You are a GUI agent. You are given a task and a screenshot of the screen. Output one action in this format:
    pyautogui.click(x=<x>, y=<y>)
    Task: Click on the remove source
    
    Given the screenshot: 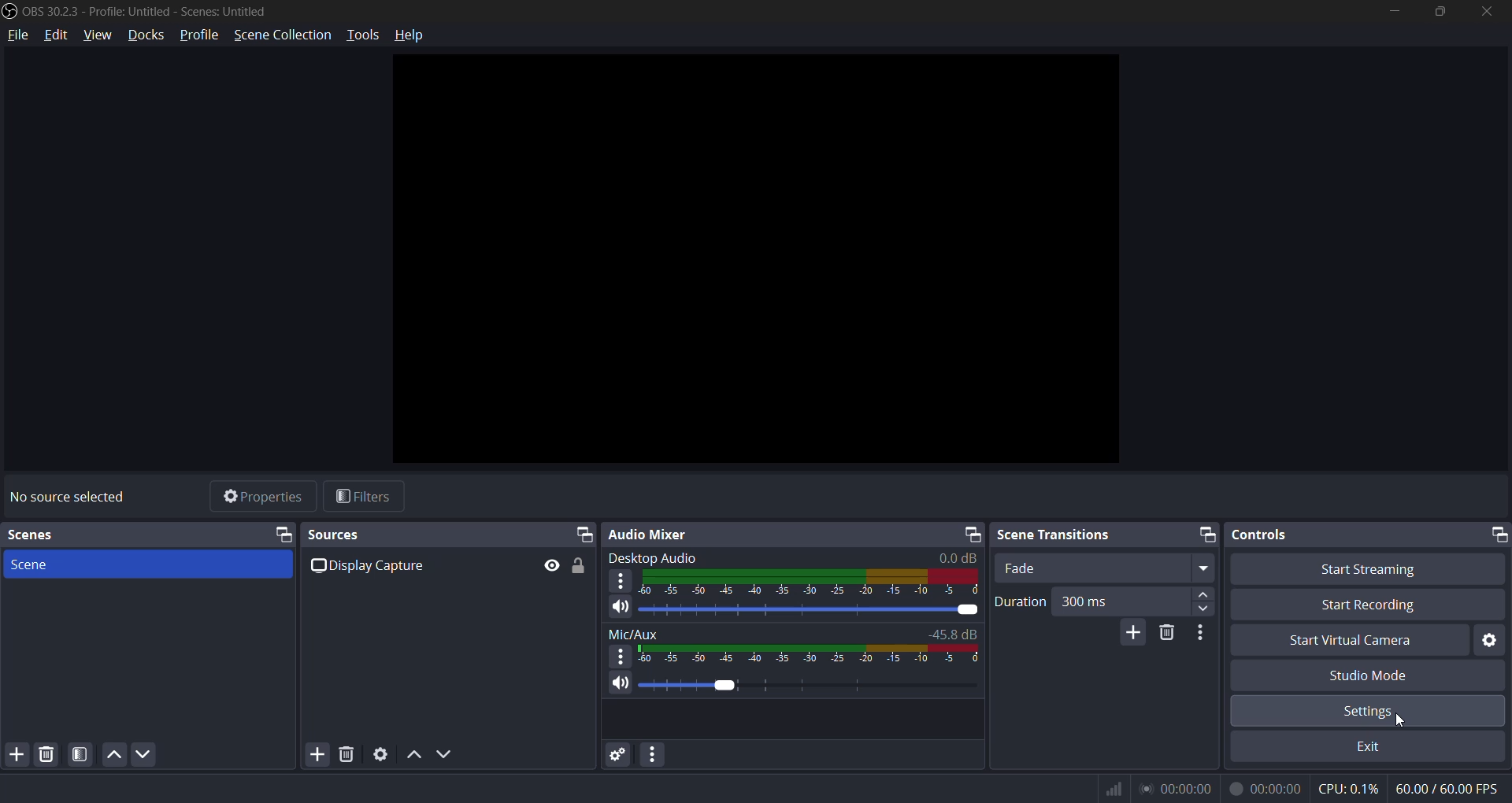 What is the action you would take?
    pyautogui.click(x=347, y=751)
    